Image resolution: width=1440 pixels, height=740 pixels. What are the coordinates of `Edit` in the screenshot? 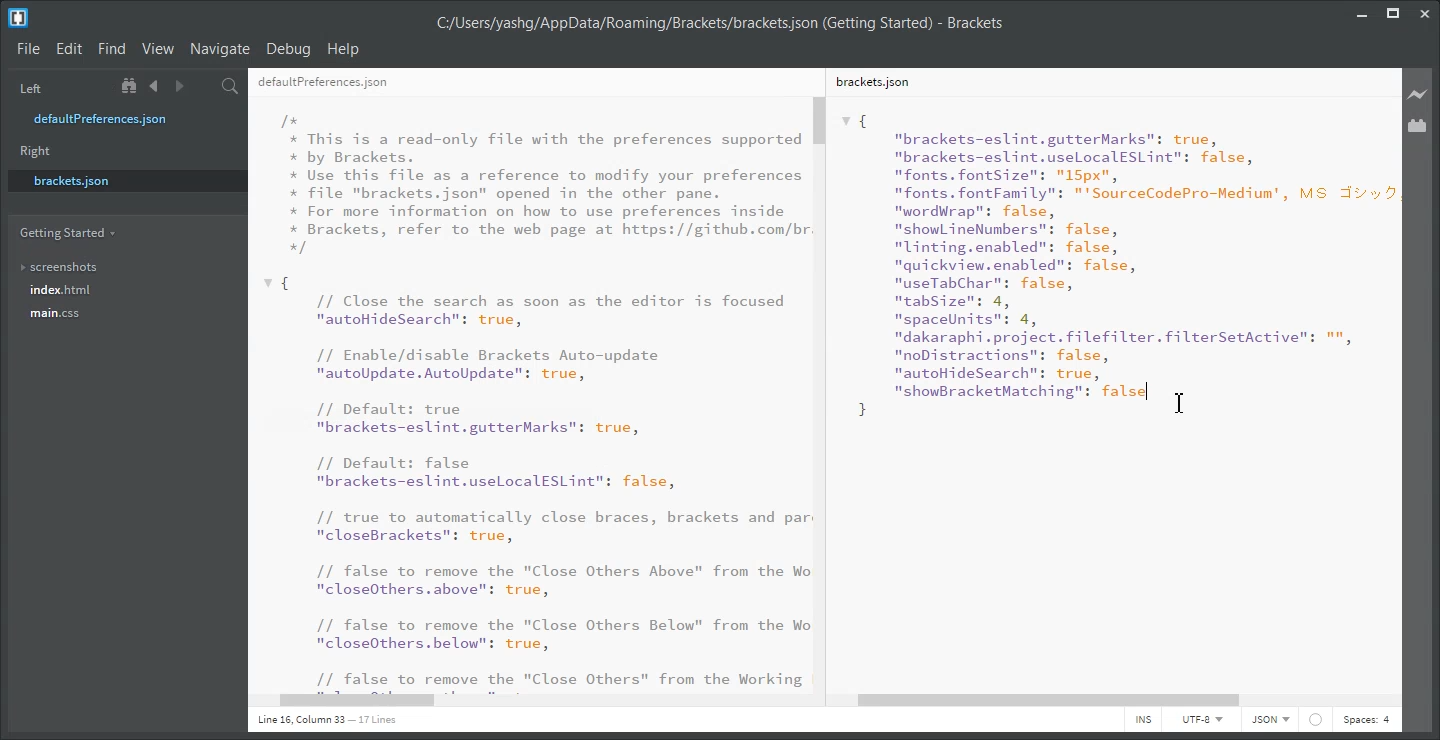 It's located at (69, 49).